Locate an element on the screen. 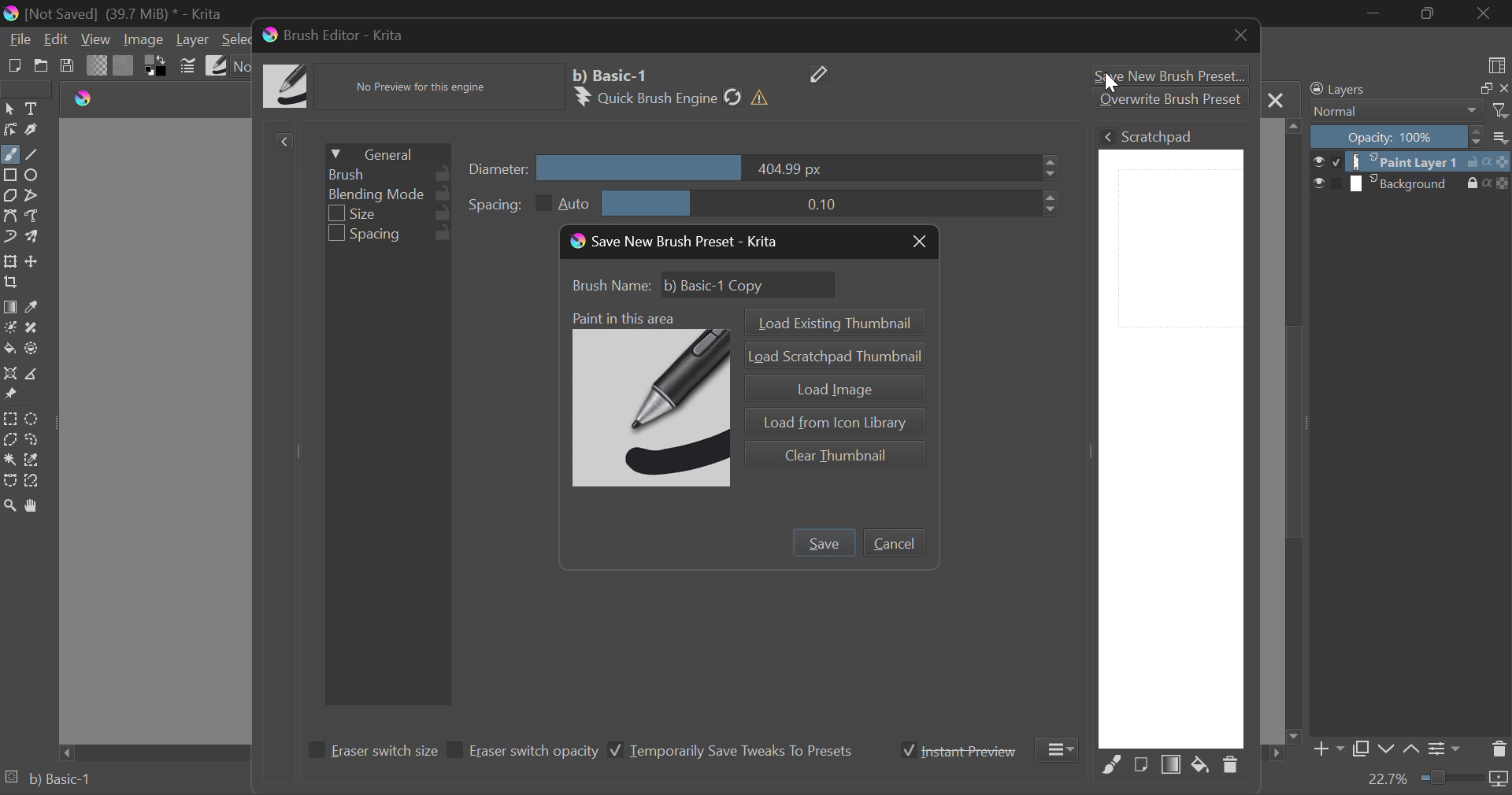 The image size is (1512, 795). Close is located at coordinates (1484, 13).